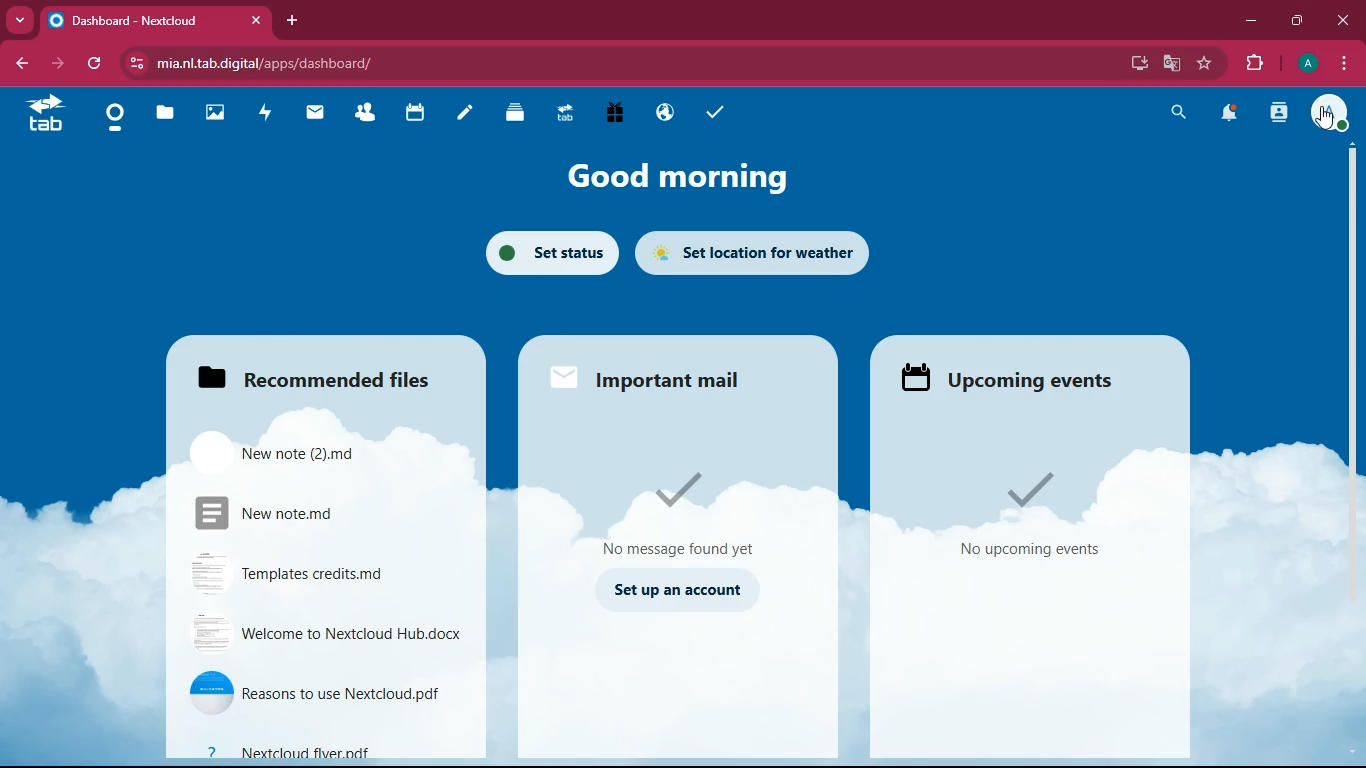  I want to click on favourite, so click(1206, 65).